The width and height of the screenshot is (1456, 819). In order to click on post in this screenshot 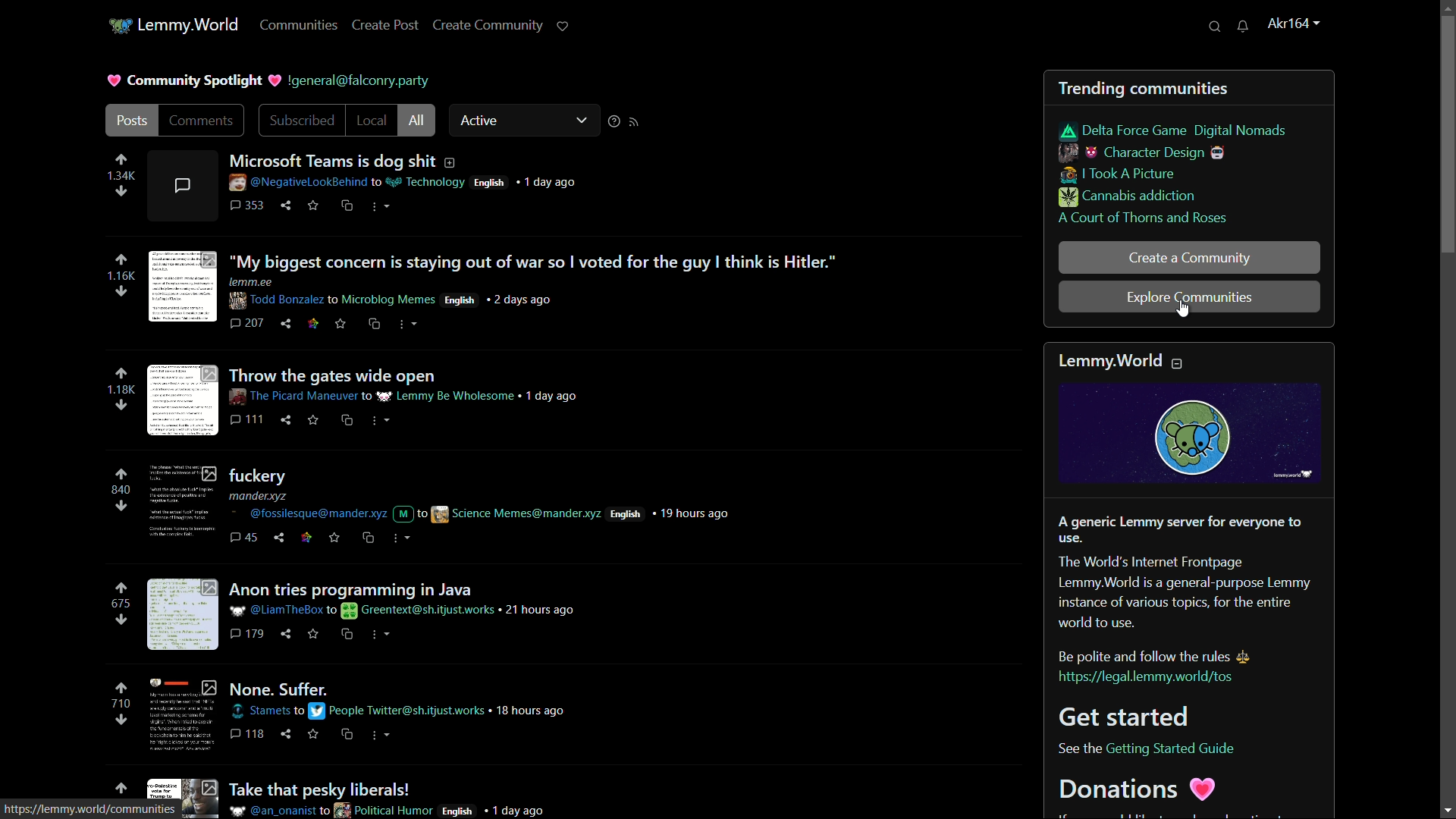, I will do `click(400, 789)`.